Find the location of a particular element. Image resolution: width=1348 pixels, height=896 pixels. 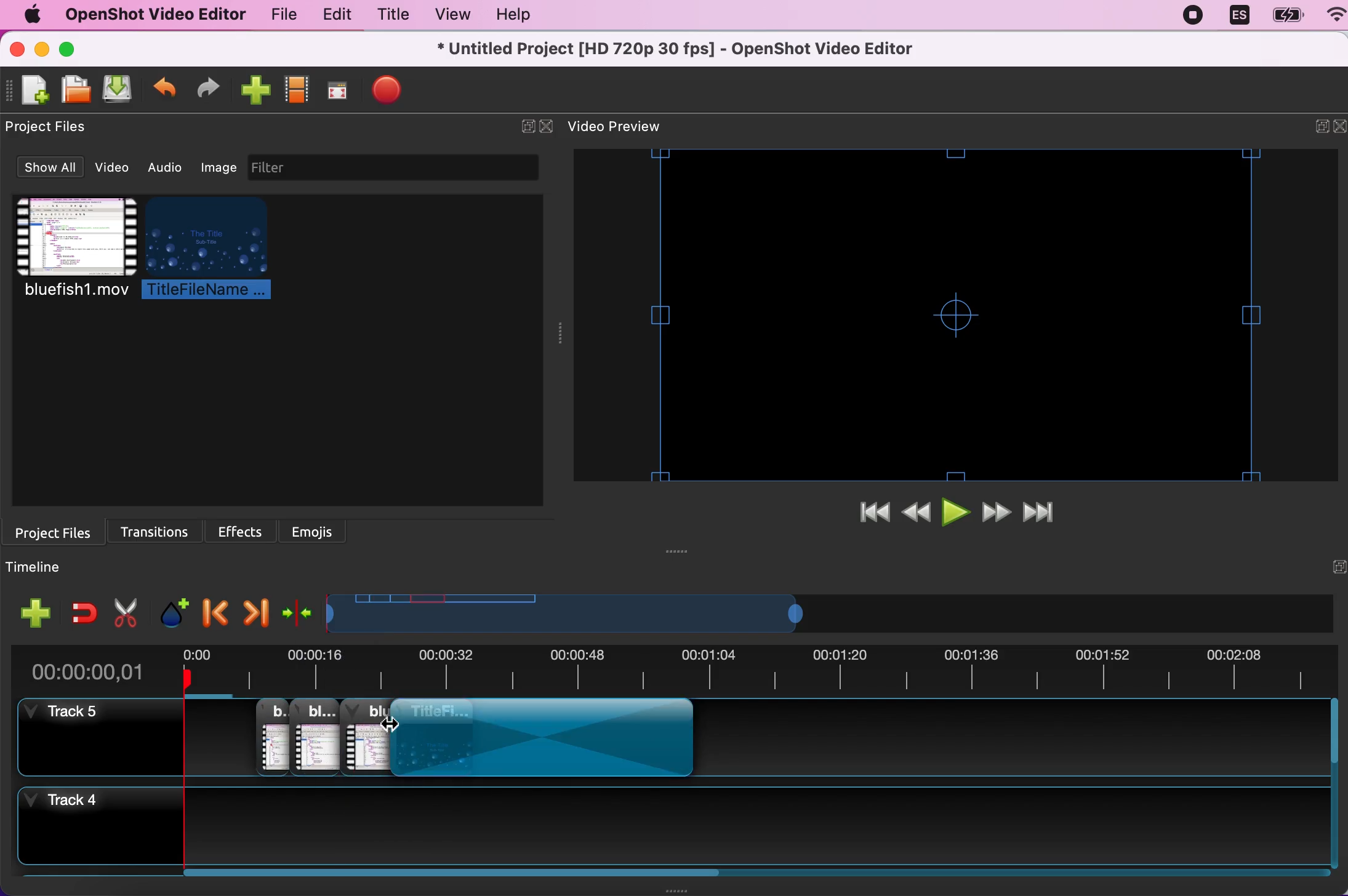

* untitled project [hd 720p 30 fps] - openshot video editor is located at coordinates (706, 49).